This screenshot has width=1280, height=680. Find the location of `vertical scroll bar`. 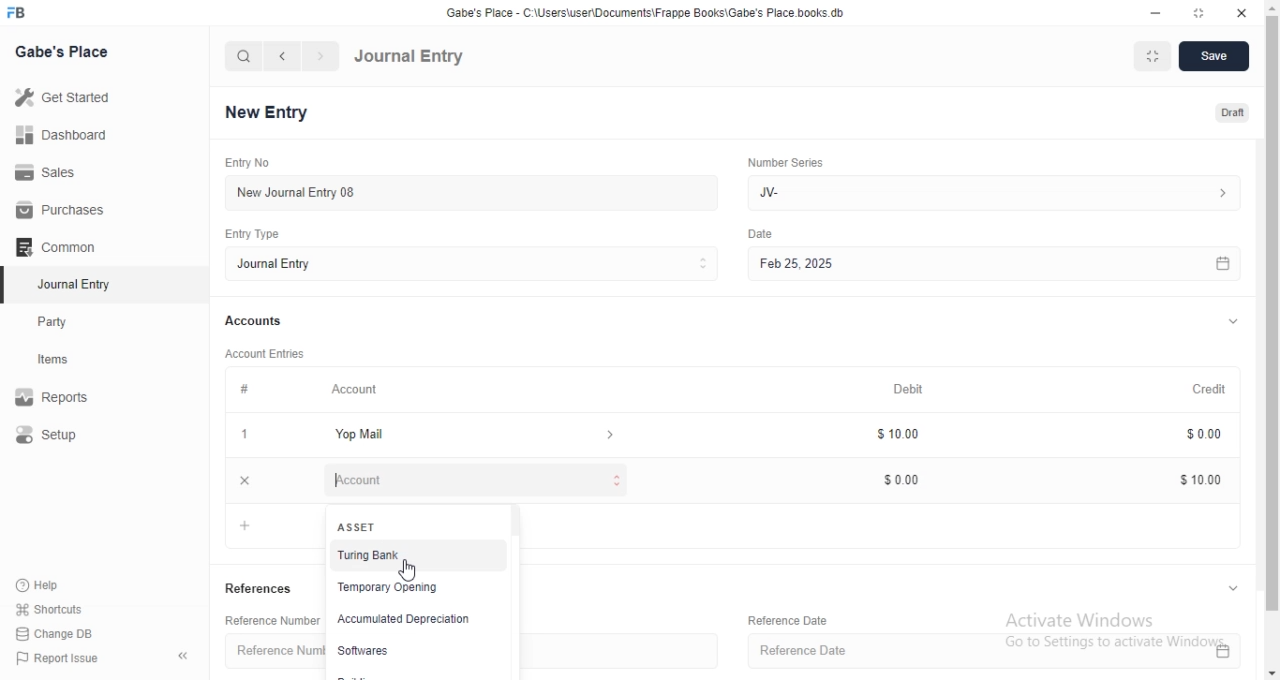

vertical scroll bar is located at coordinates (1272, 339).